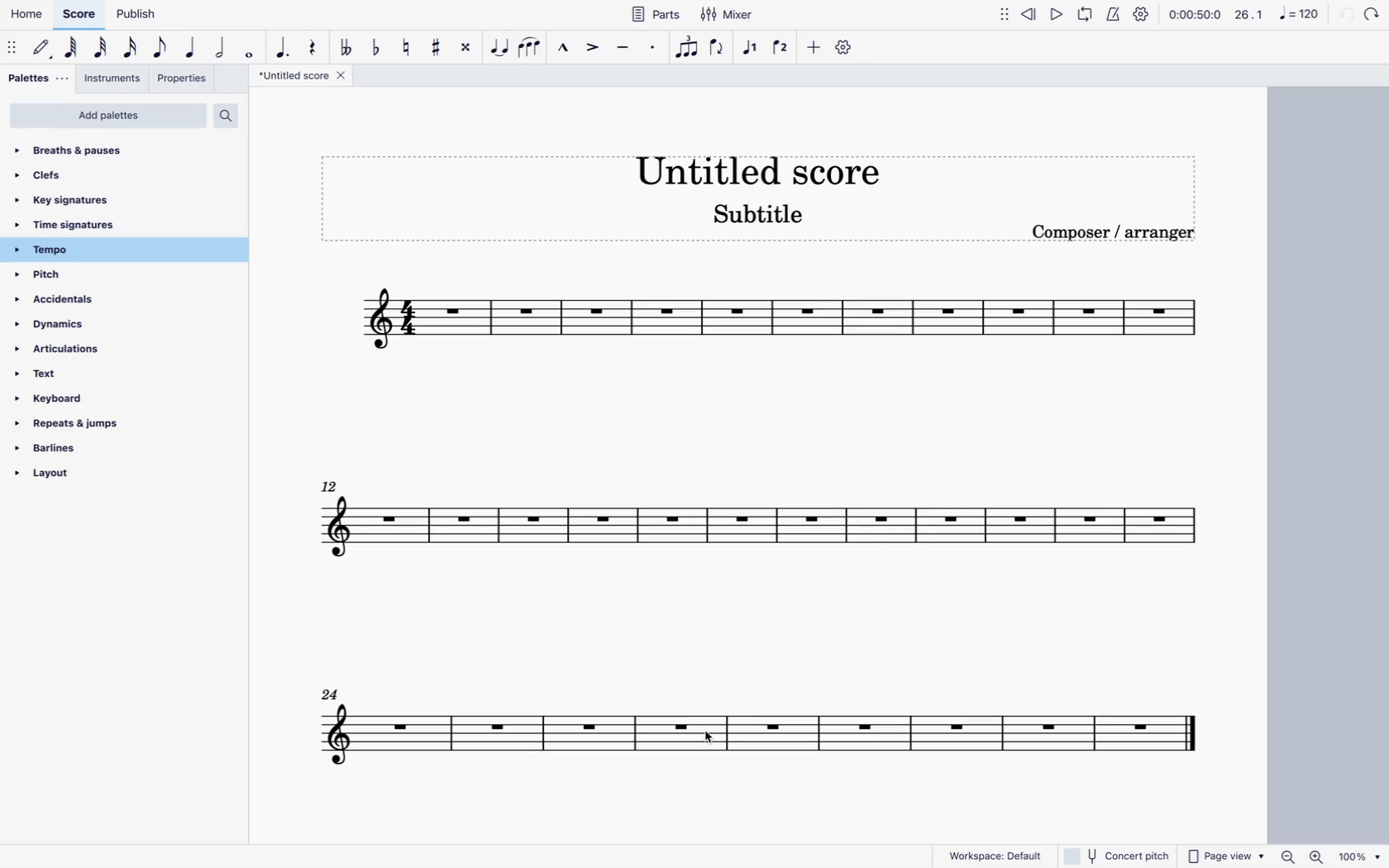  Describe the element at coordinates (654, 48) in the screenshot. I see `staccato` at that location.